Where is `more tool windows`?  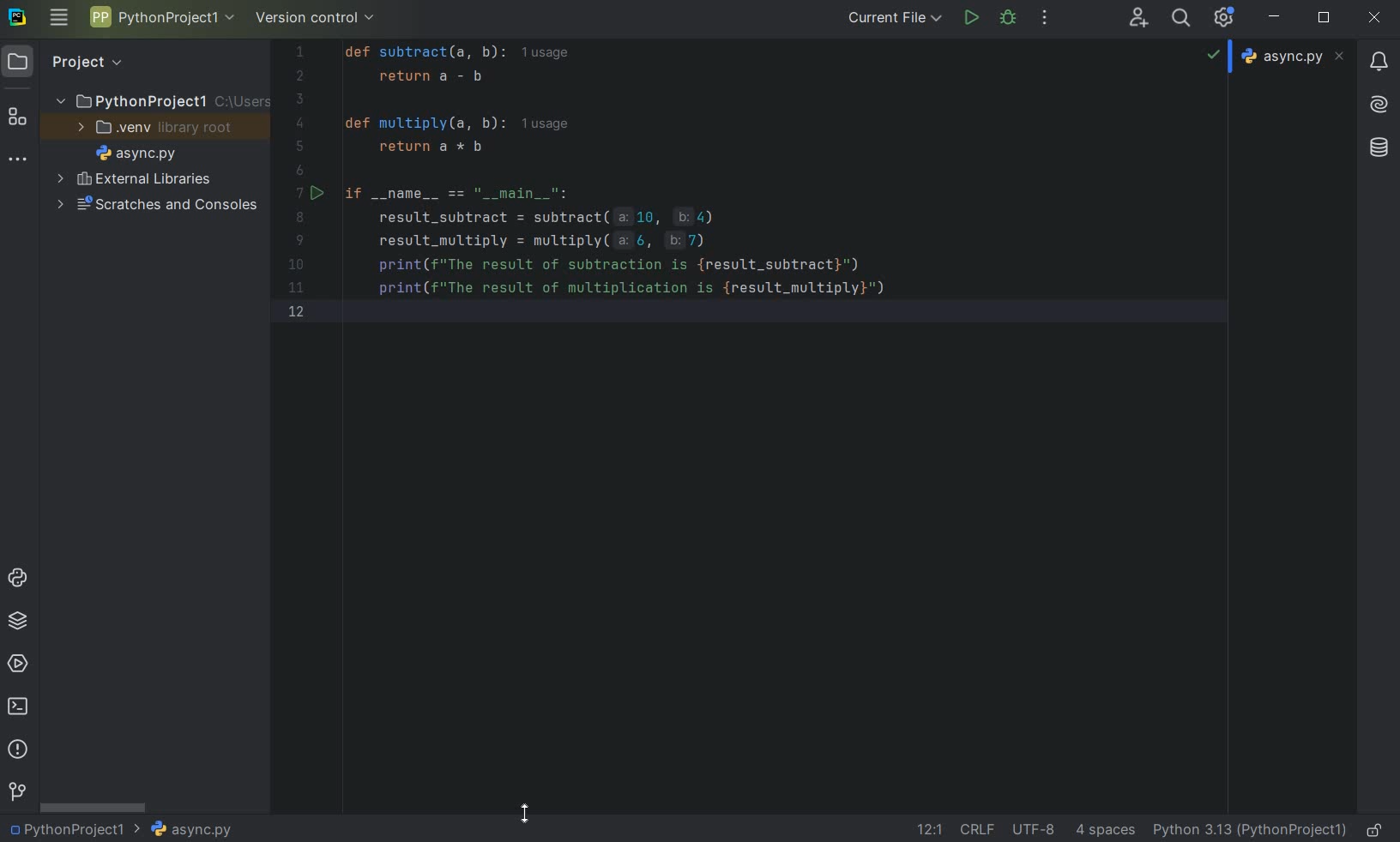 more tool windows is located at coordinates (18, 162).